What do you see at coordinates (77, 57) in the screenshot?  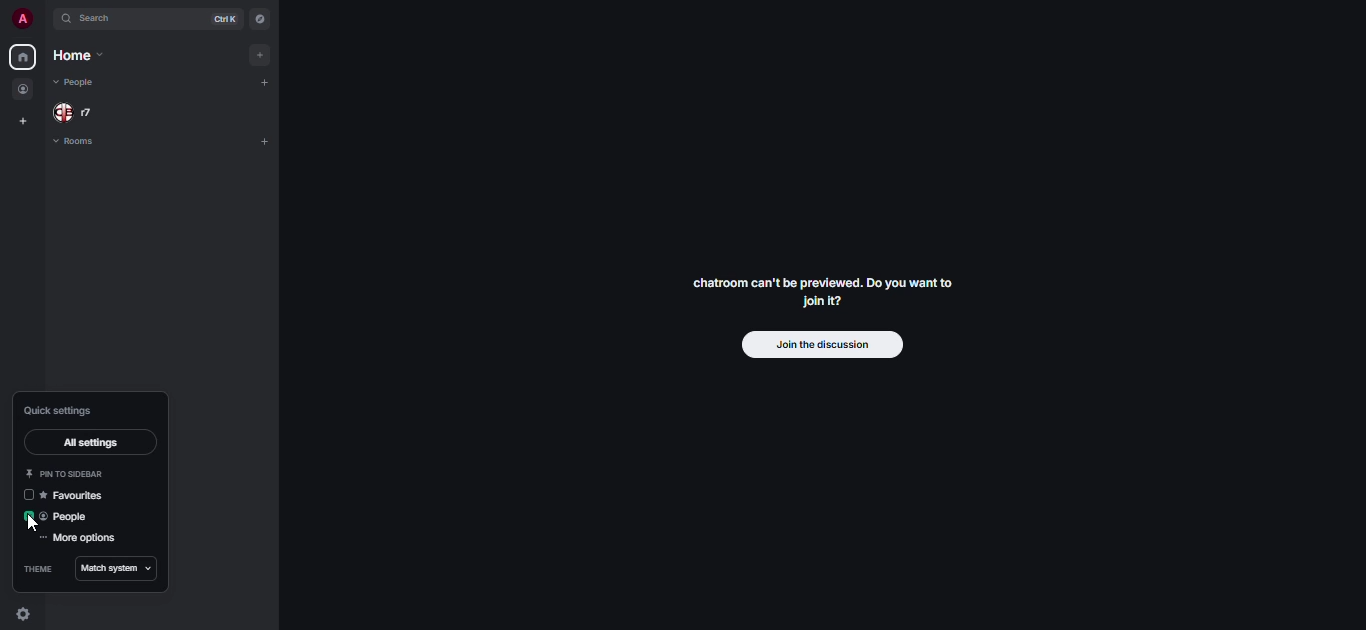 I see `home` at bounding box center [77, 57].